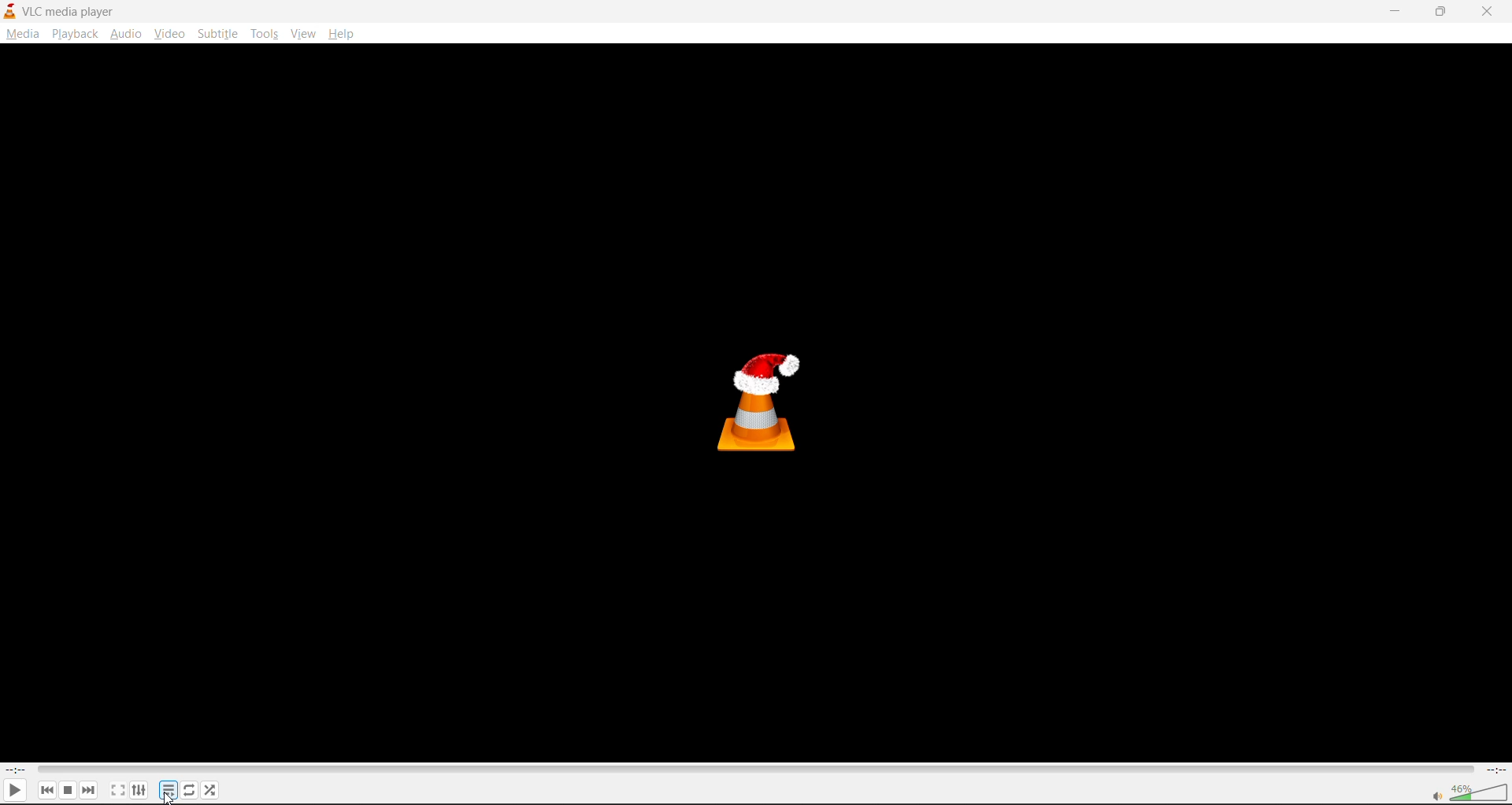 The image size is (1512, 805). What do you see at coordinates (74, 34) in the screenshot?
I see `playback` at bounding box center [74, 34].